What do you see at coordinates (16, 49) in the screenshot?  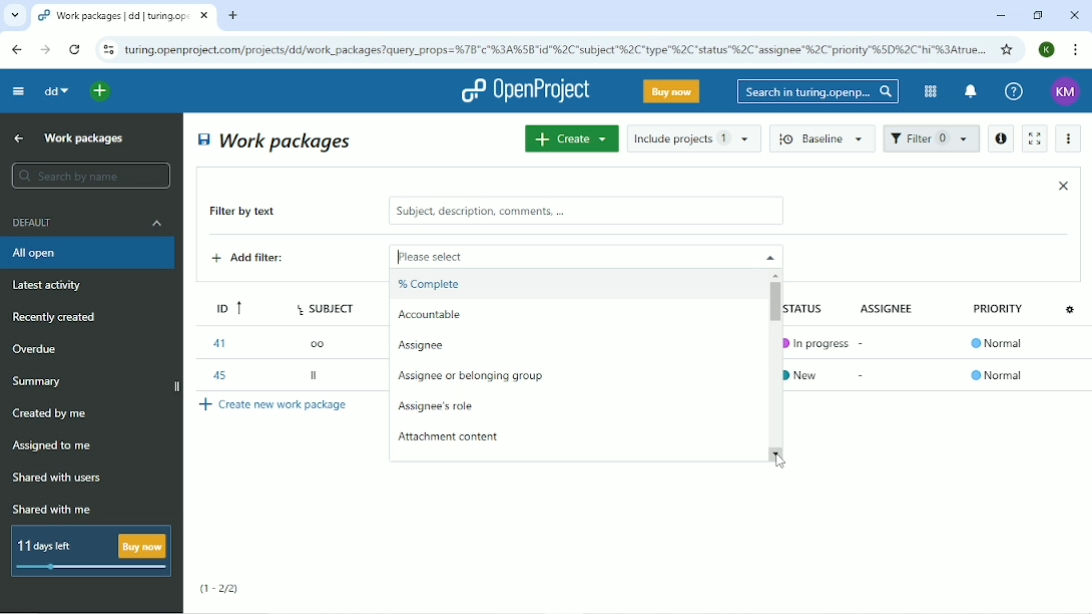 I see `Back` at bounding box center [16, 49].